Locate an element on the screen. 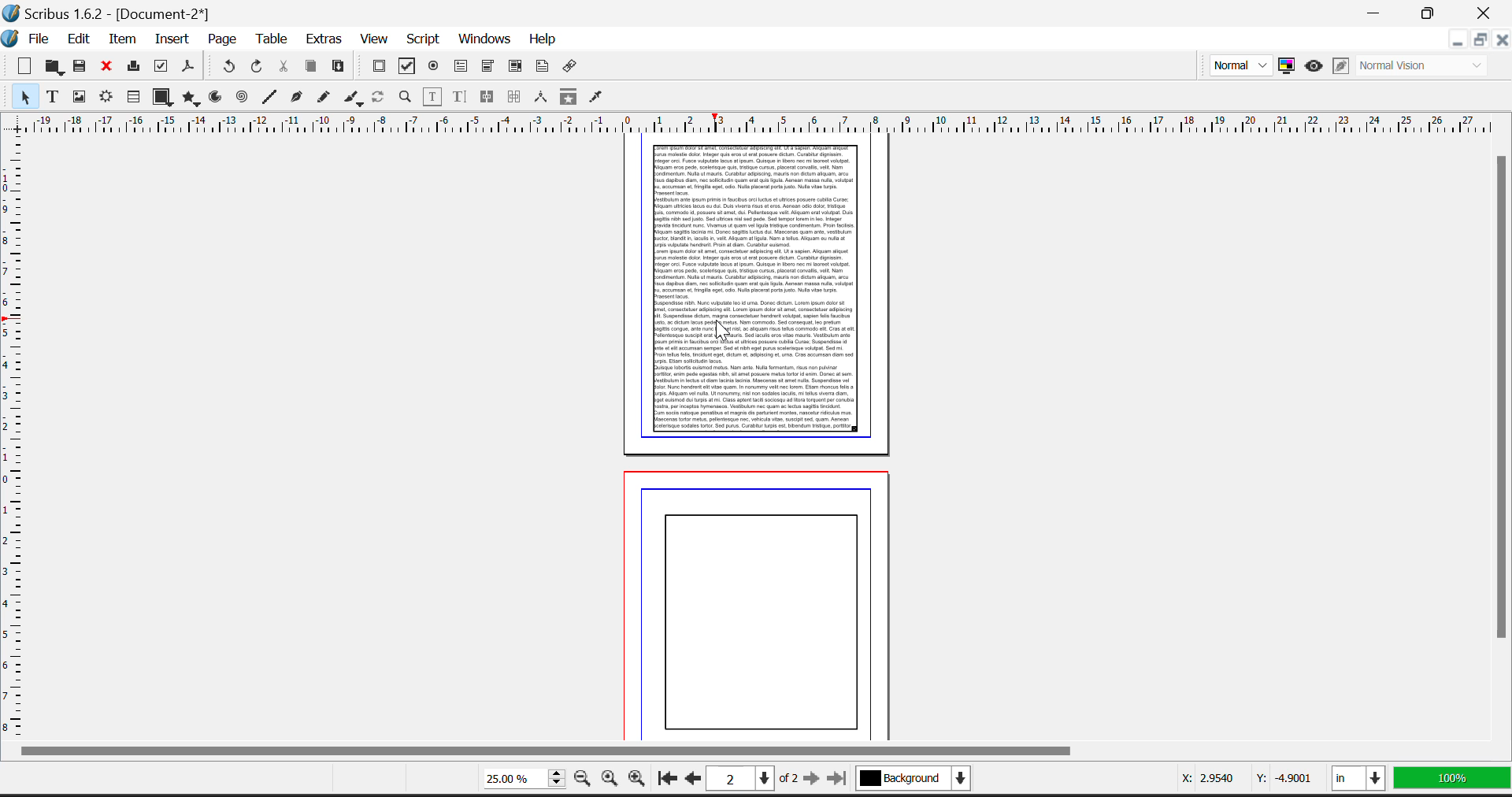 Image resolution: width=1512 pixels, height=797 pixels. Link Text Frames is located at coordinates (487, 96).